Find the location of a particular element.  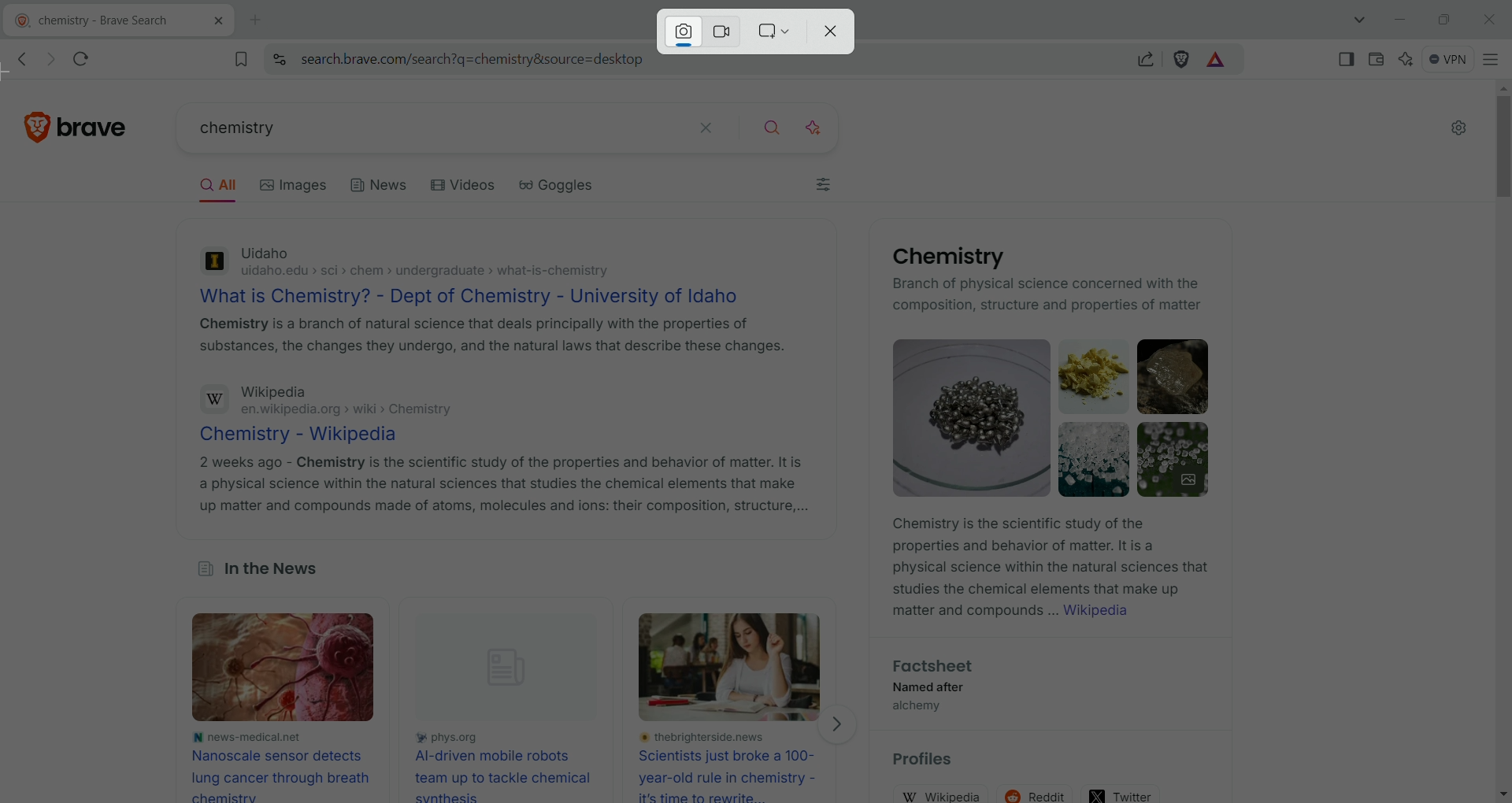

reddit is located at coordinates (1039, 790).